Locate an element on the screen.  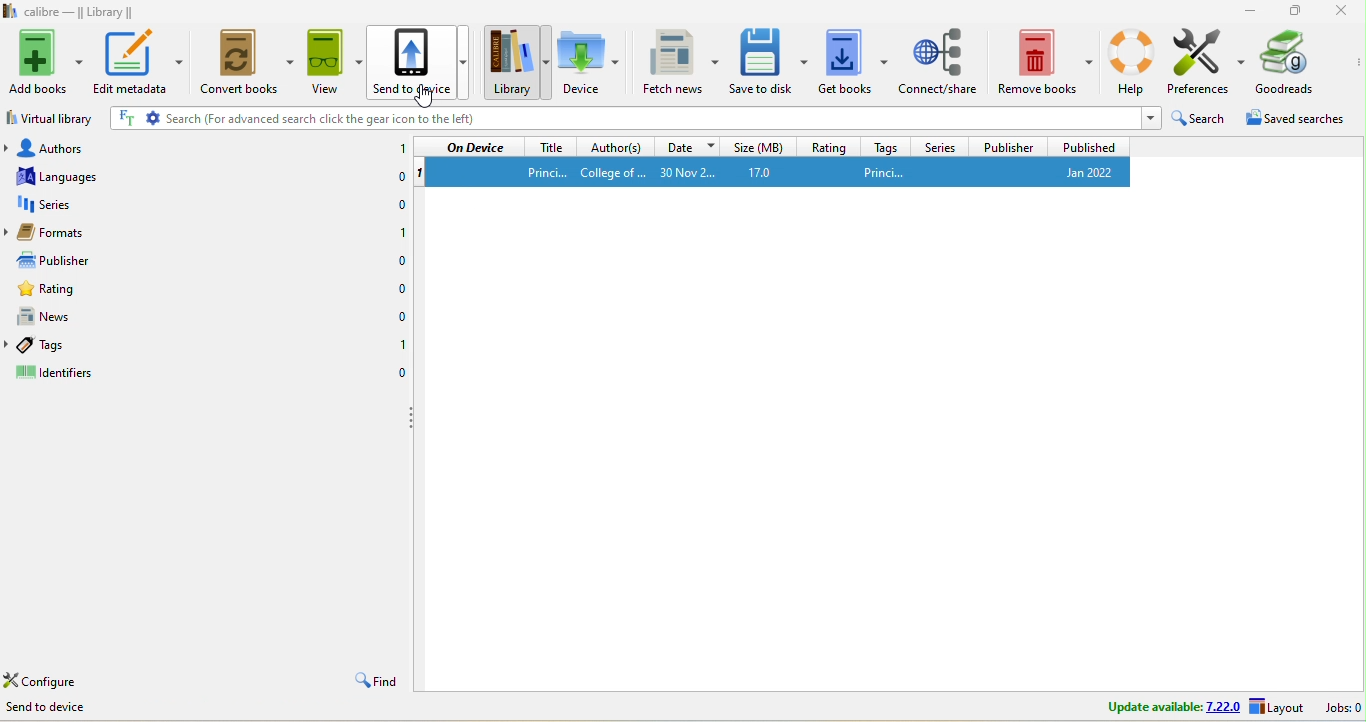
identifiers is located at coordinates (55, 373).